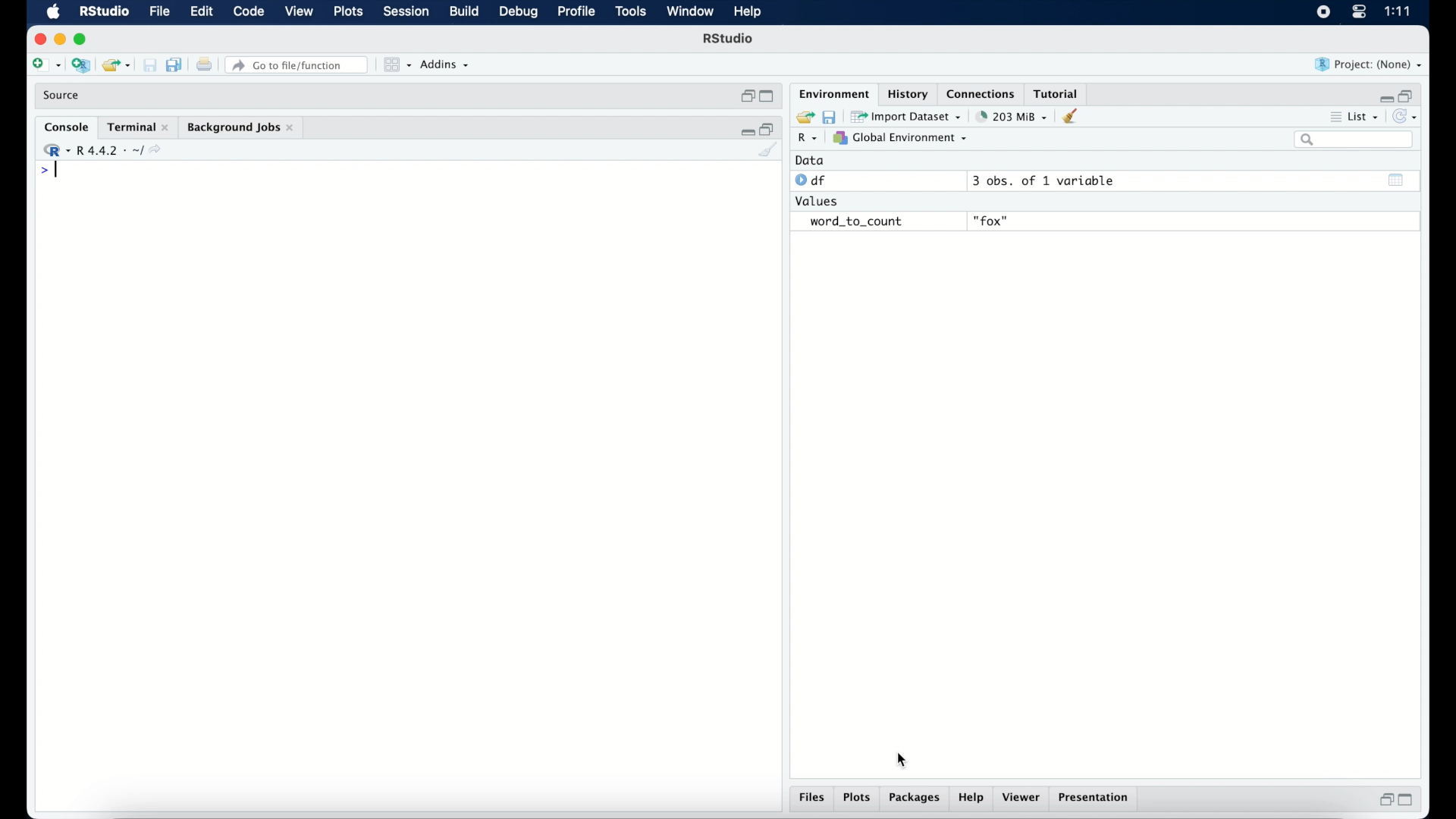  What do you see at coordinates (983, 93) in the screenshot?
I see `connections` at bounding box center [983, 93].